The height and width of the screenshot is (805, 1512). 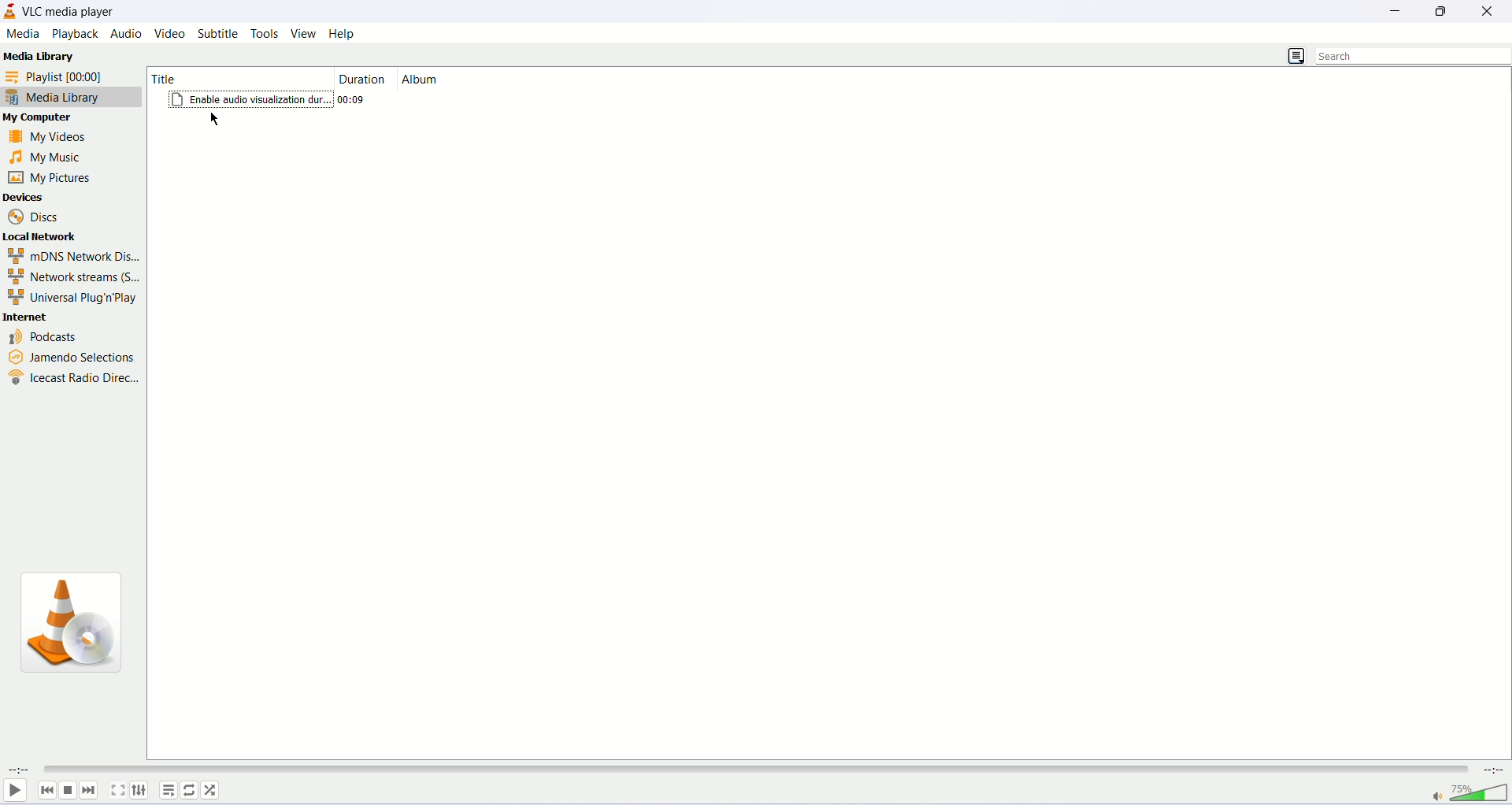 What do you see at coordinates (72, 277) in the screenshot?
I see `network streams` at bounding box center [72, 277].